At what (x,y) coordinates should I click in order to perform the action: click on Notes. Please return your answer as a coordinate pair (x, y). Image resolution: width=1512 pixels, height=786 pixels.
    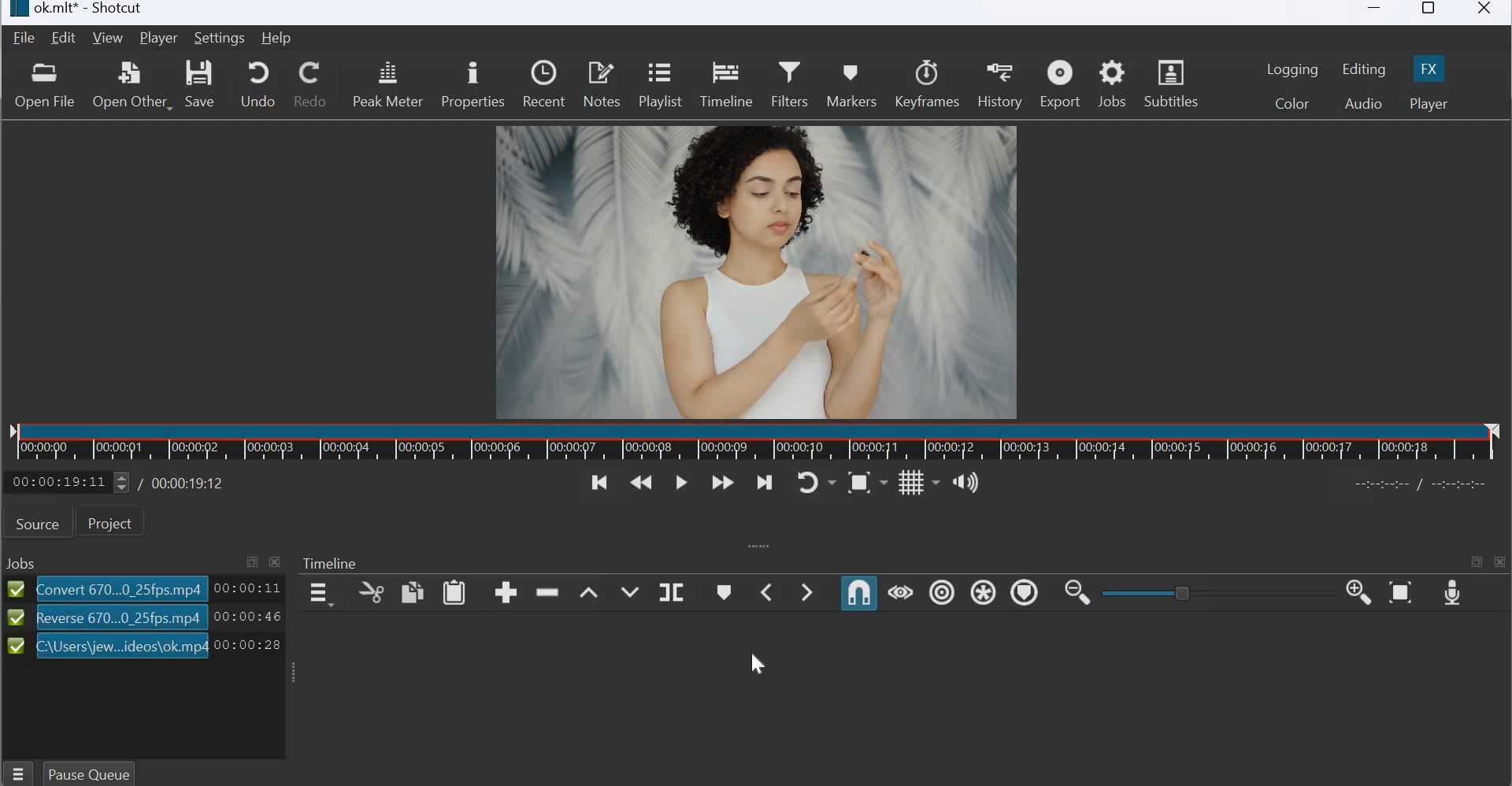
    Looking at the image, I should click on (601, 83).